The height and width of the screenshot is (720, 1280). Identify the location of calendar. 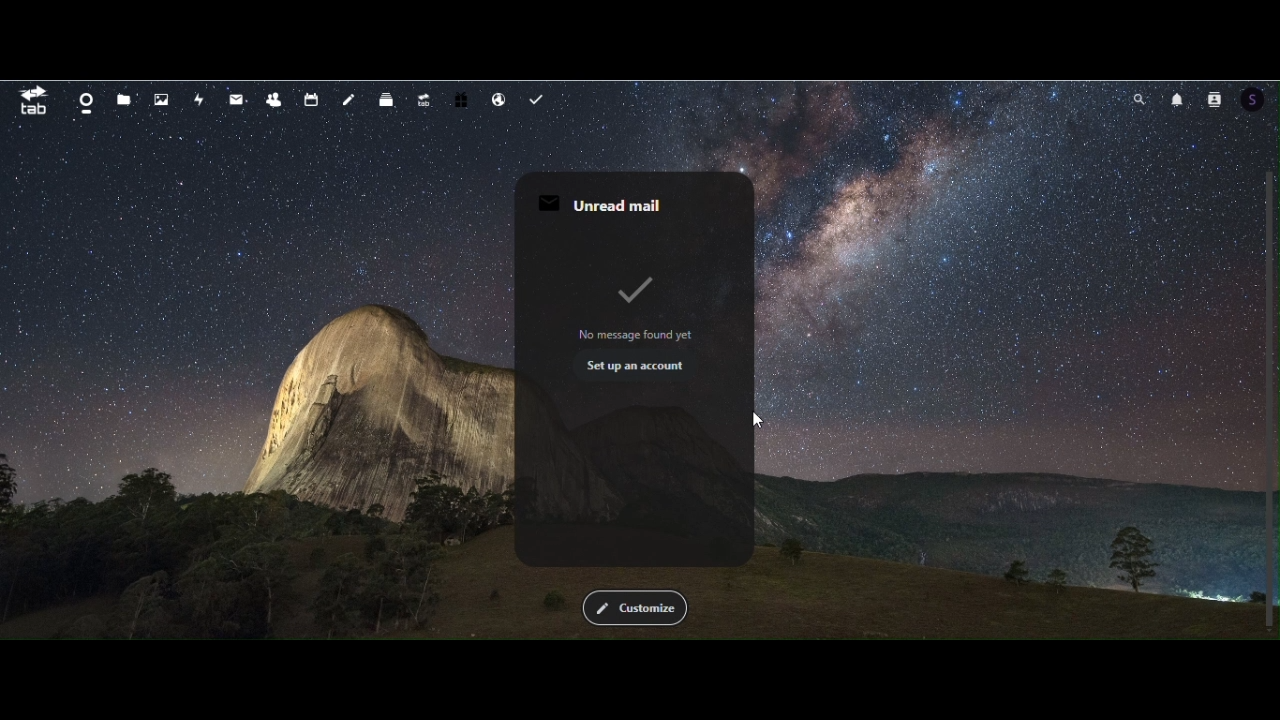
(310, 99).